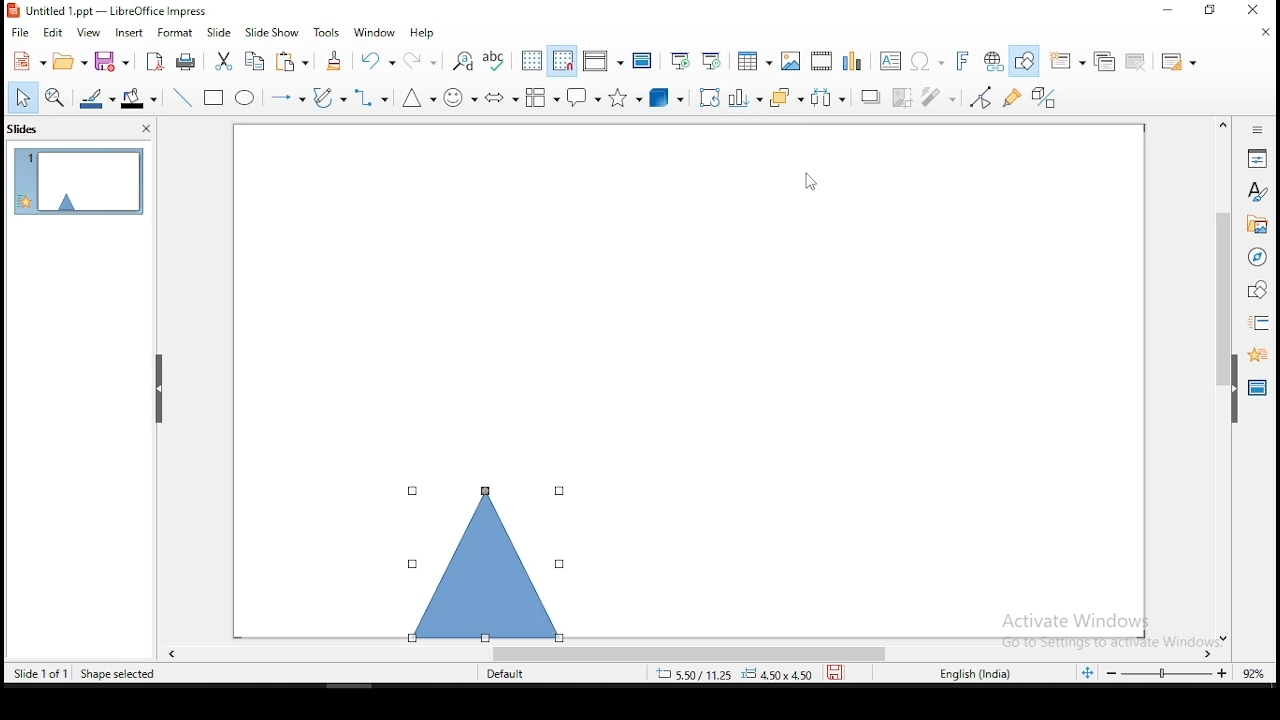 The width and height of the screenshot is (1280, 720). I want to click on ellipse, so click(247, 99).